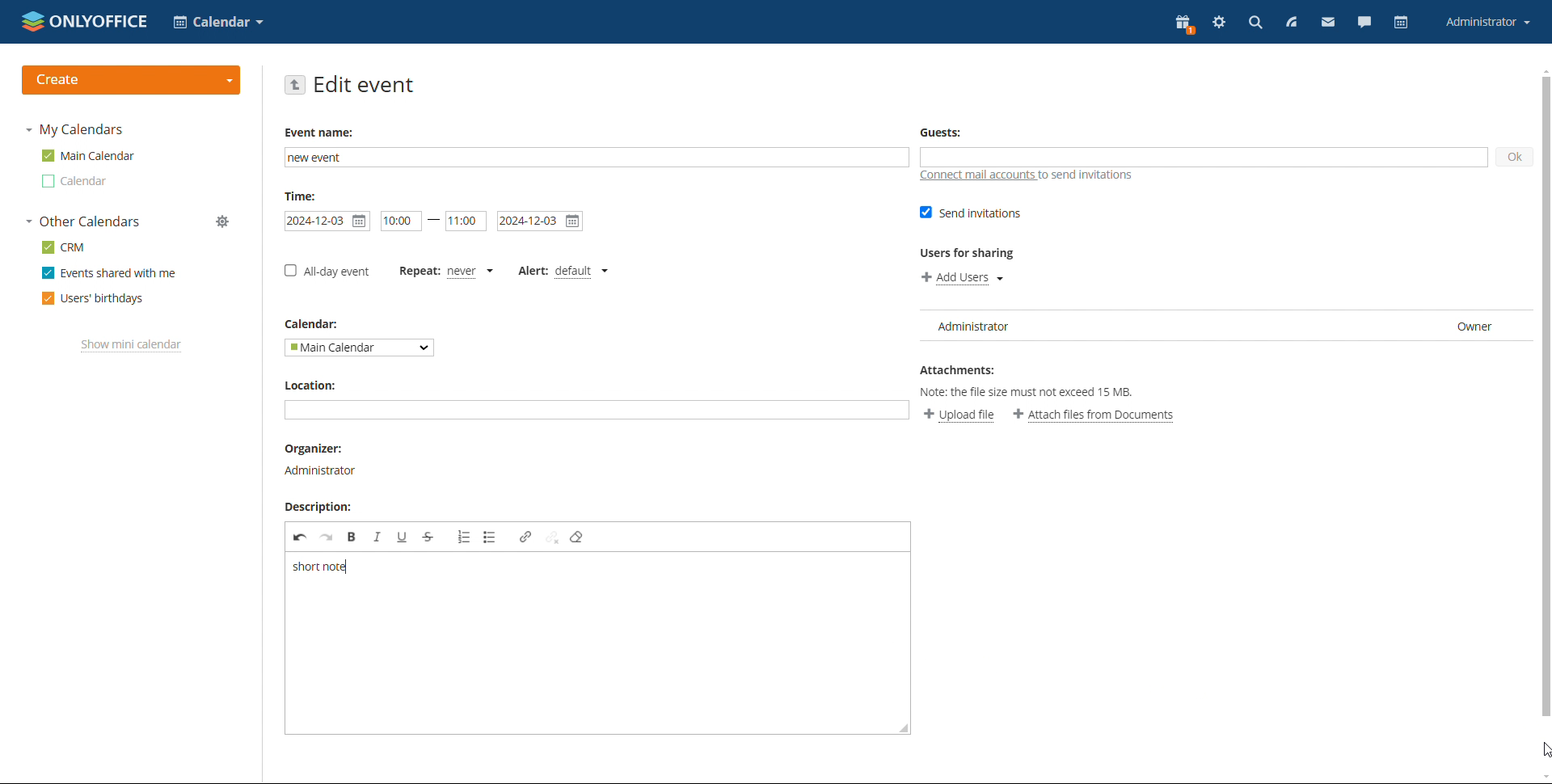  I want to click on calendar, so click(1402, 22).